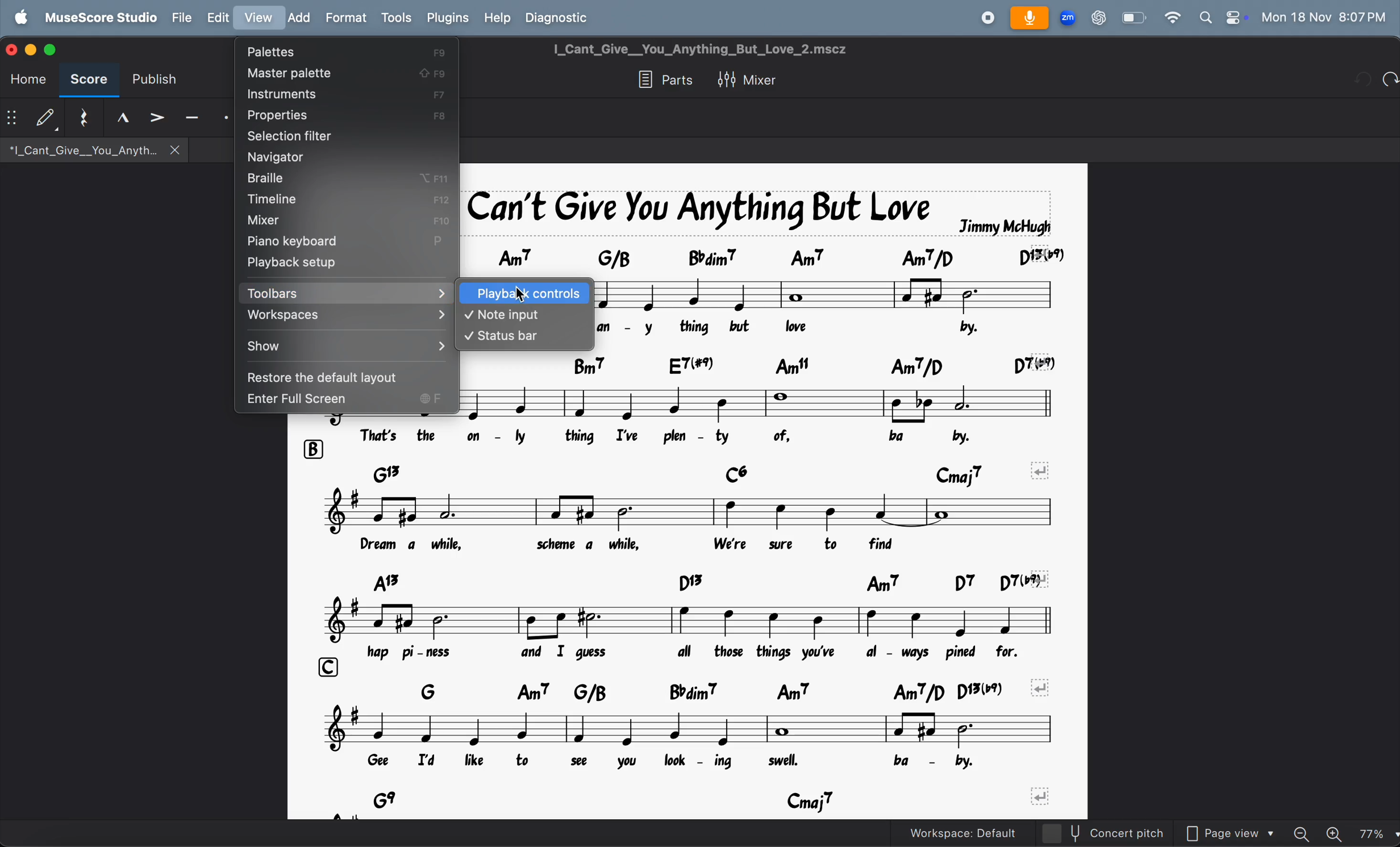  What do you see at coordinates (765, 403) in the screenshot?
I see `note` at bounding box center [765, 403].